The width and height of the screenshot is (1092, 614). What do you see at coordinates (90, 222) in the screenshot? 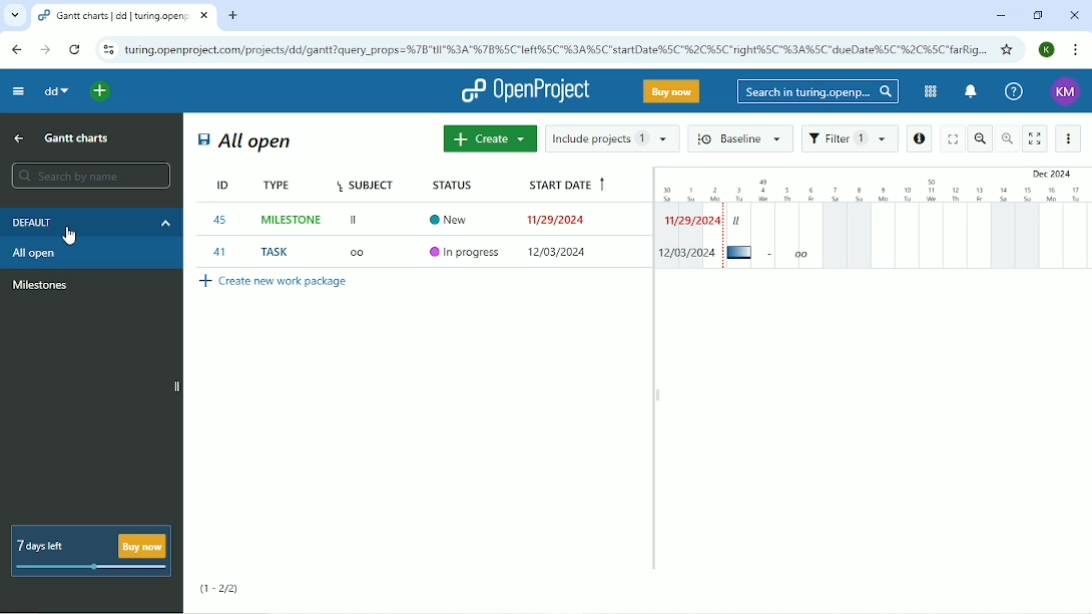
I see `Default` at bounding box center [90, 222].